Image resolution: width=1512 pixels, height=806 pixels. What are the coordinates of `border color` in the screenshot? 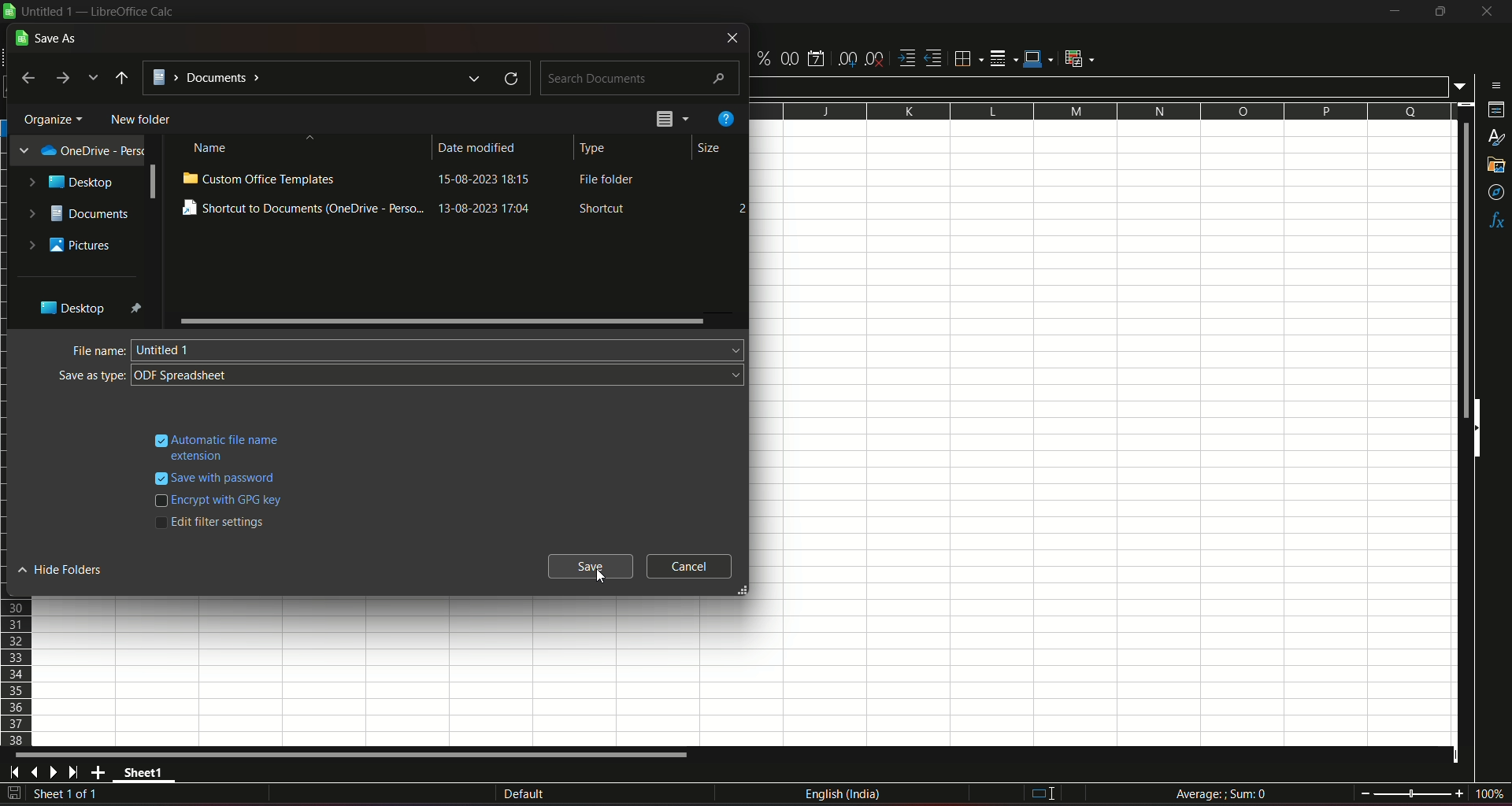 It's located at (1039, 60).